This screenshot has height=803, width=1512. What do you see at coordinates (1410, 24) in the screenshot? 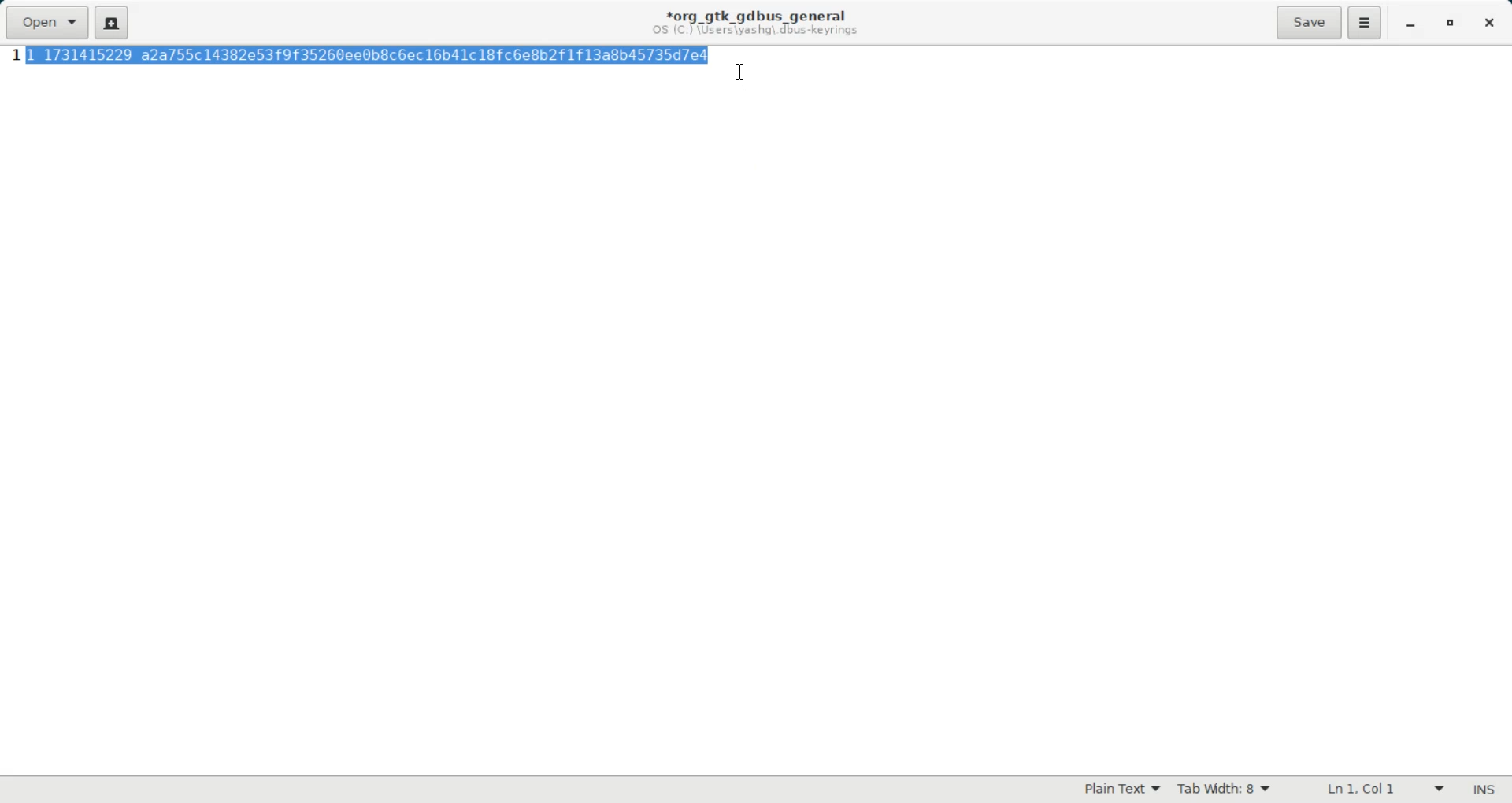
I see `Minimize` at bounding box center [1410, 24].